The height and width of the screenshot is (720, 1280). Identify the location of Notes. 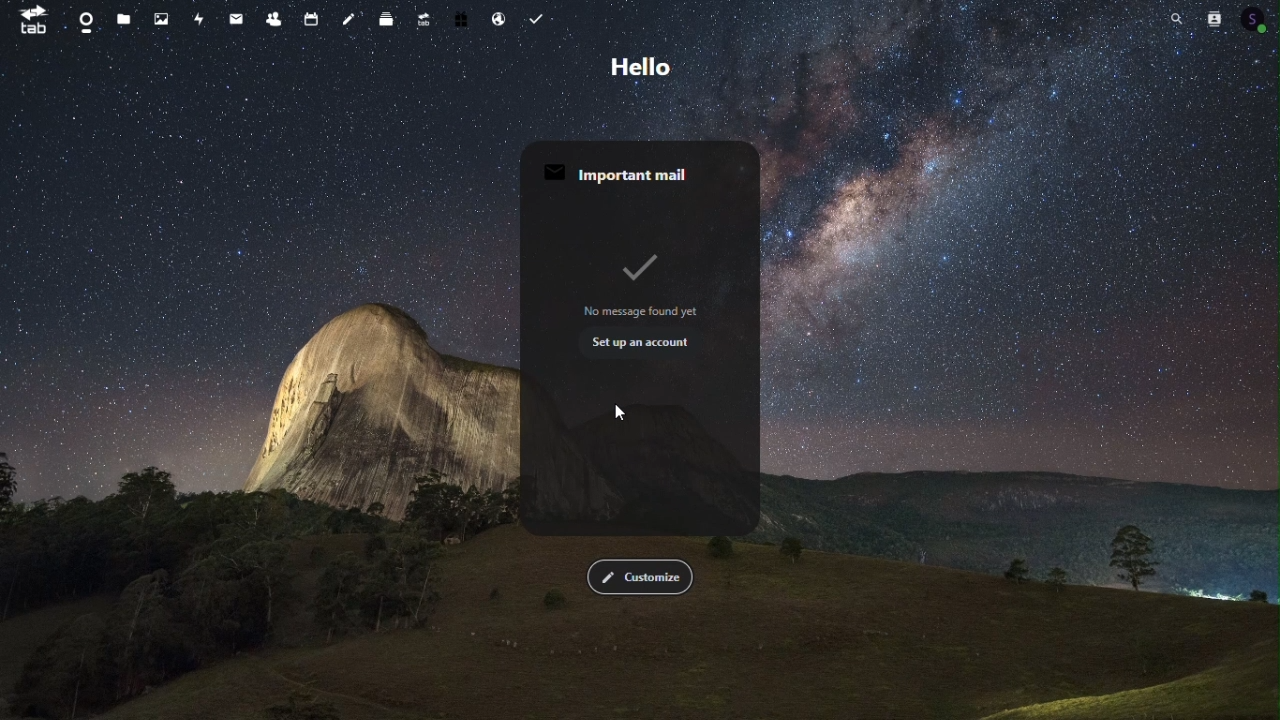
(348, 19).